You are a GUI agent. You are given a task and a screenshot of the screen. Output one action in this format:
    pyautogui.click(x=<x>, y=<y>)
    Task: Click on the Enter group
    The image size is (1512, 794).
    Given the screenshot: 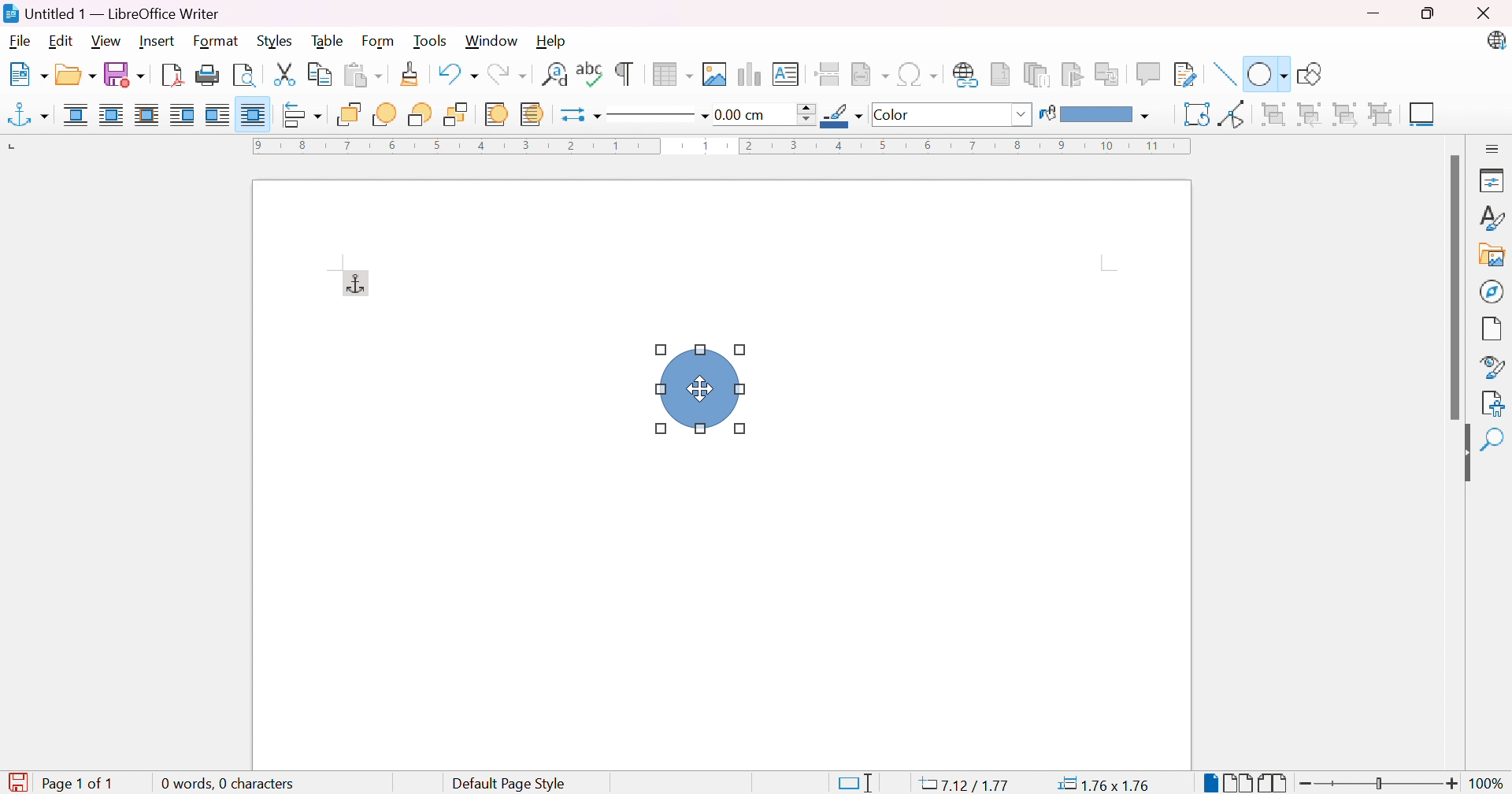 What is the action you would take?
    pyautogui.click(x=1310, y=116)
    